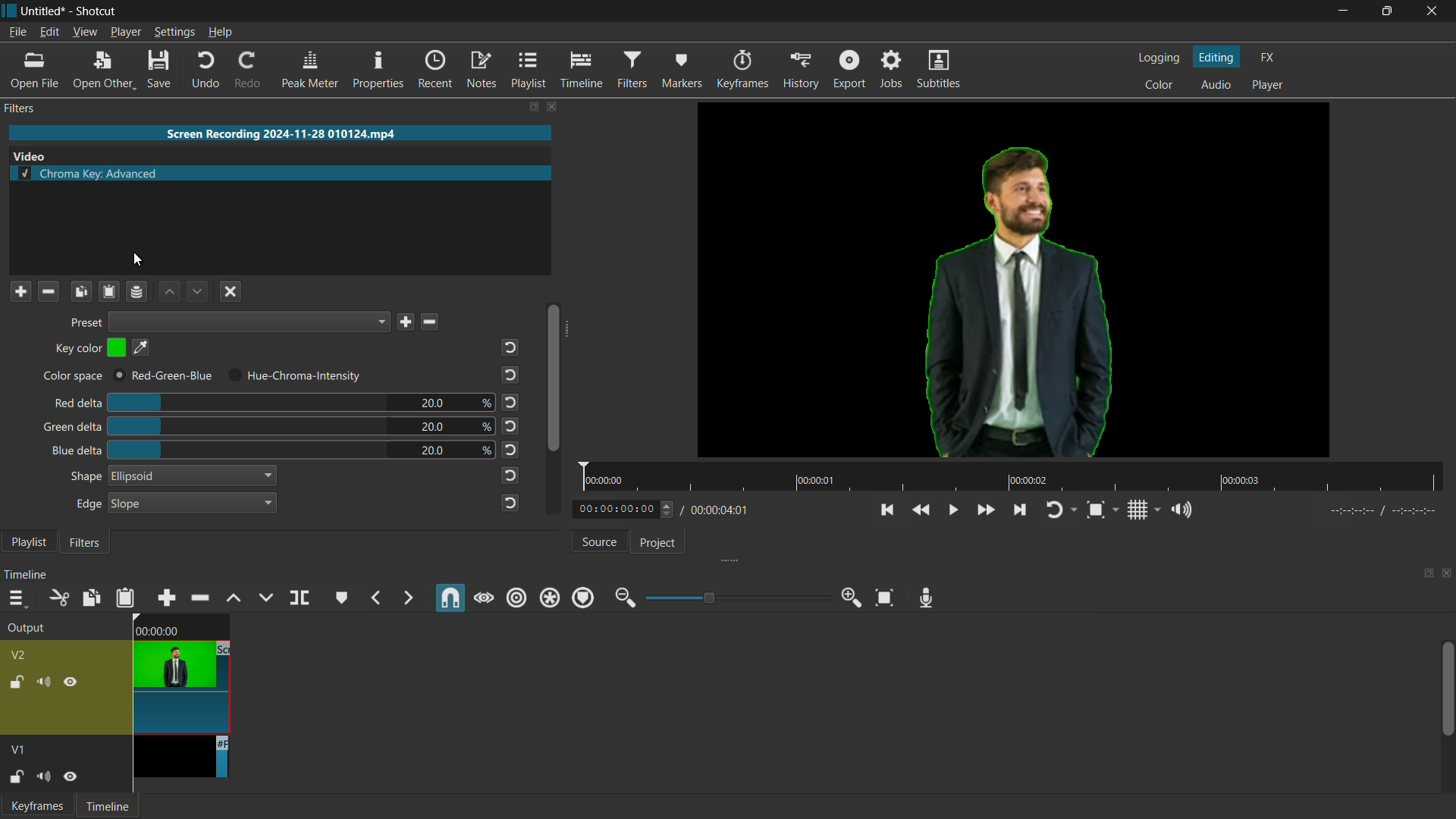  What do you see at coordinates (484, 598) in the screenshot?
I see `scrub while dragging` at bounding box center [484, 598].